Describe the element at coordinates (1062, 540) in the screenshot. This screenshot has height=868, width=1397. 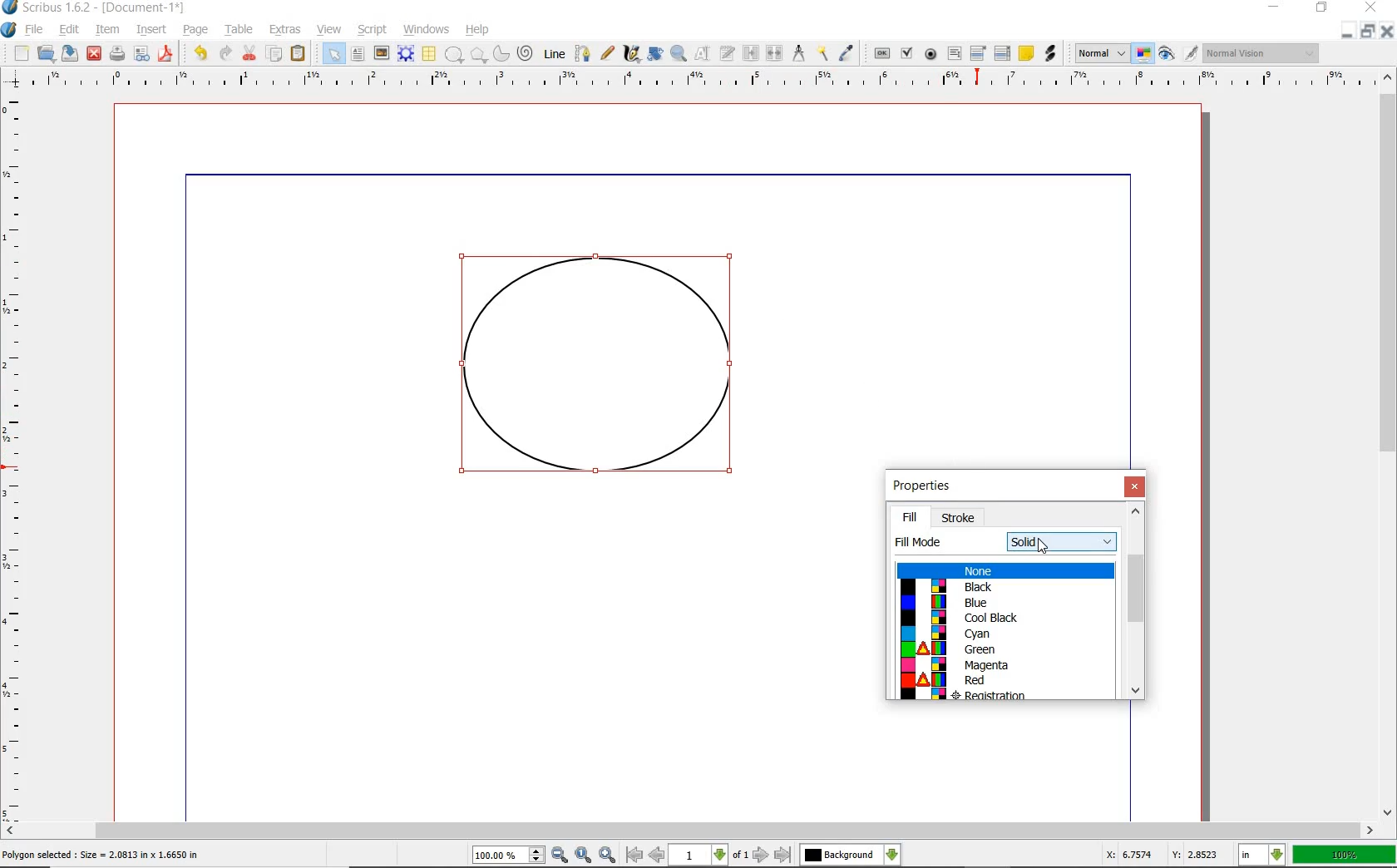
I see `fill mode` at that location.